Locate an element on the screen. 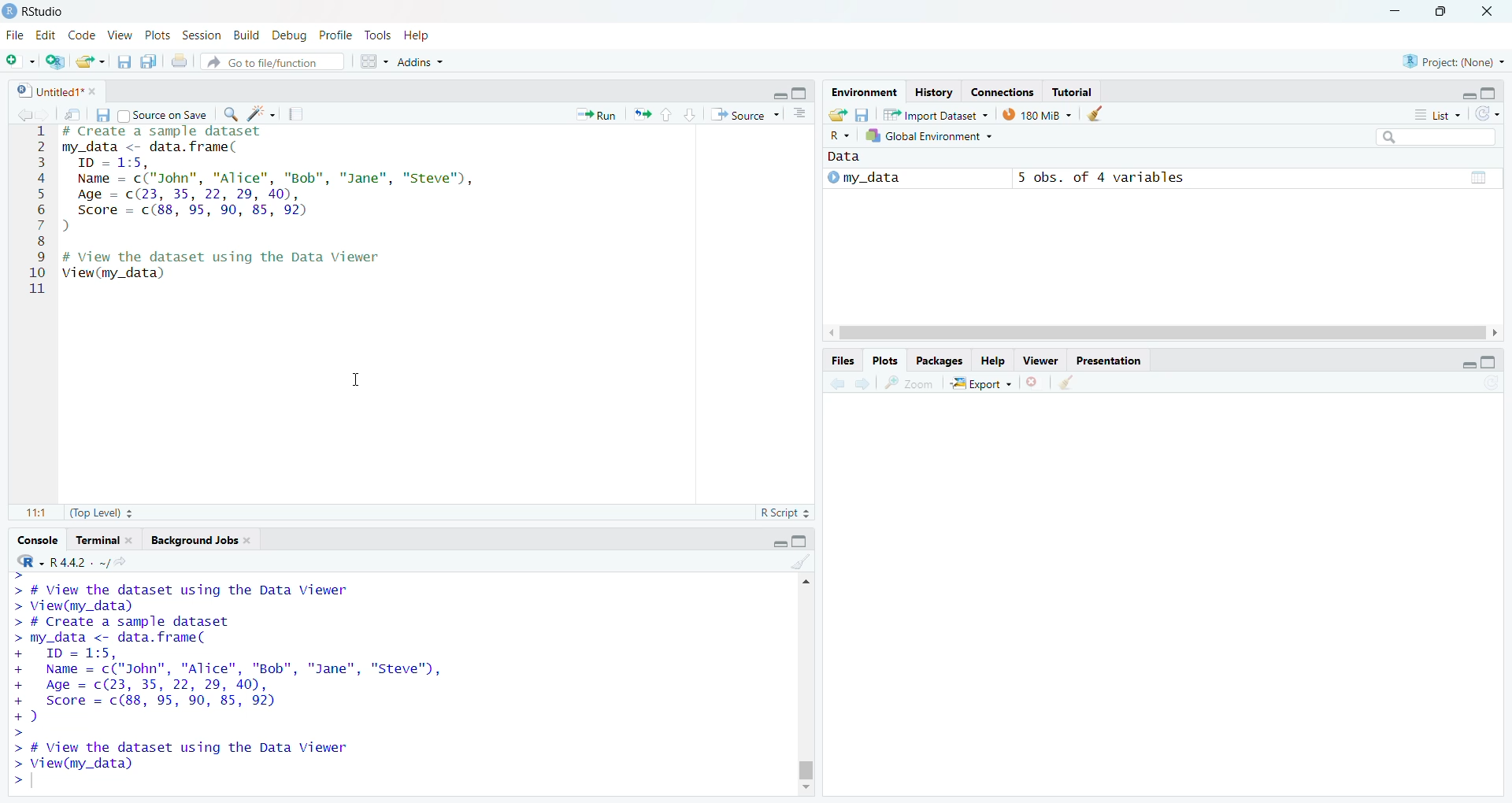  List of the objects in the Environment is located at coordinates (1488, 115).